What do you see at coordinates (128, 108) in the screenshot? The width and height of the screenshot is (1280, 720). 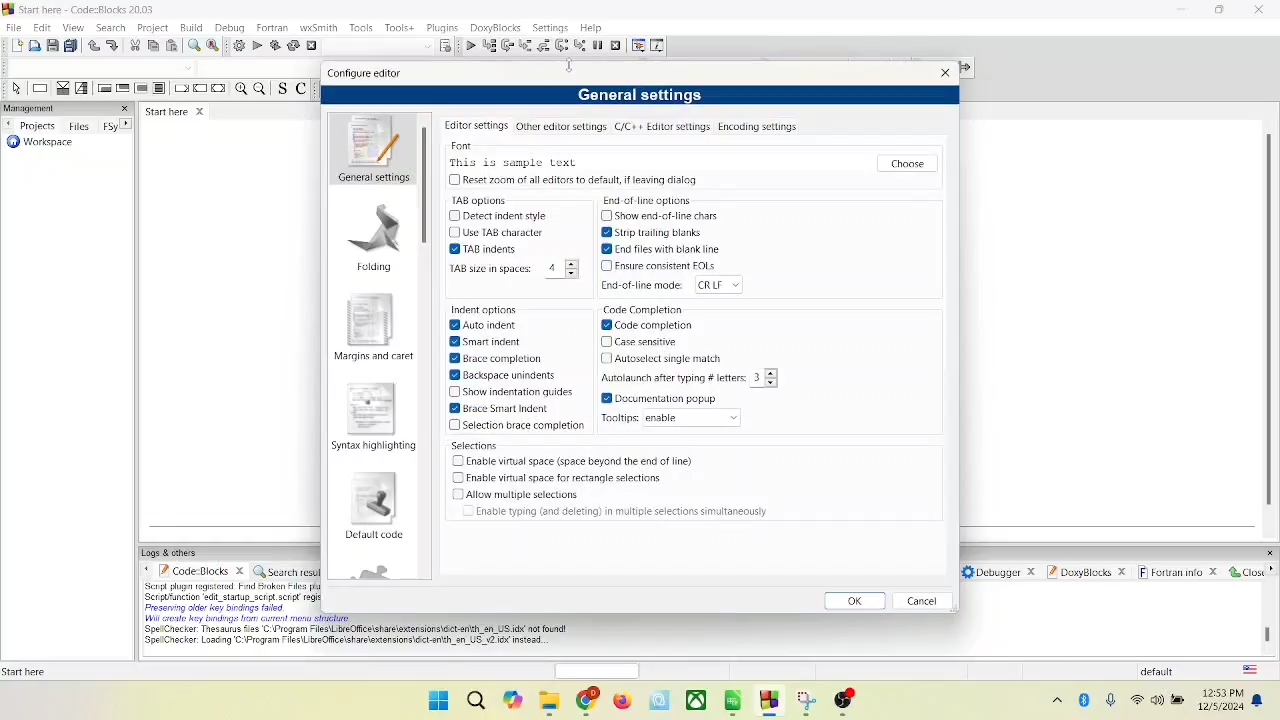 I see `close` at bounding box center [128, 108].